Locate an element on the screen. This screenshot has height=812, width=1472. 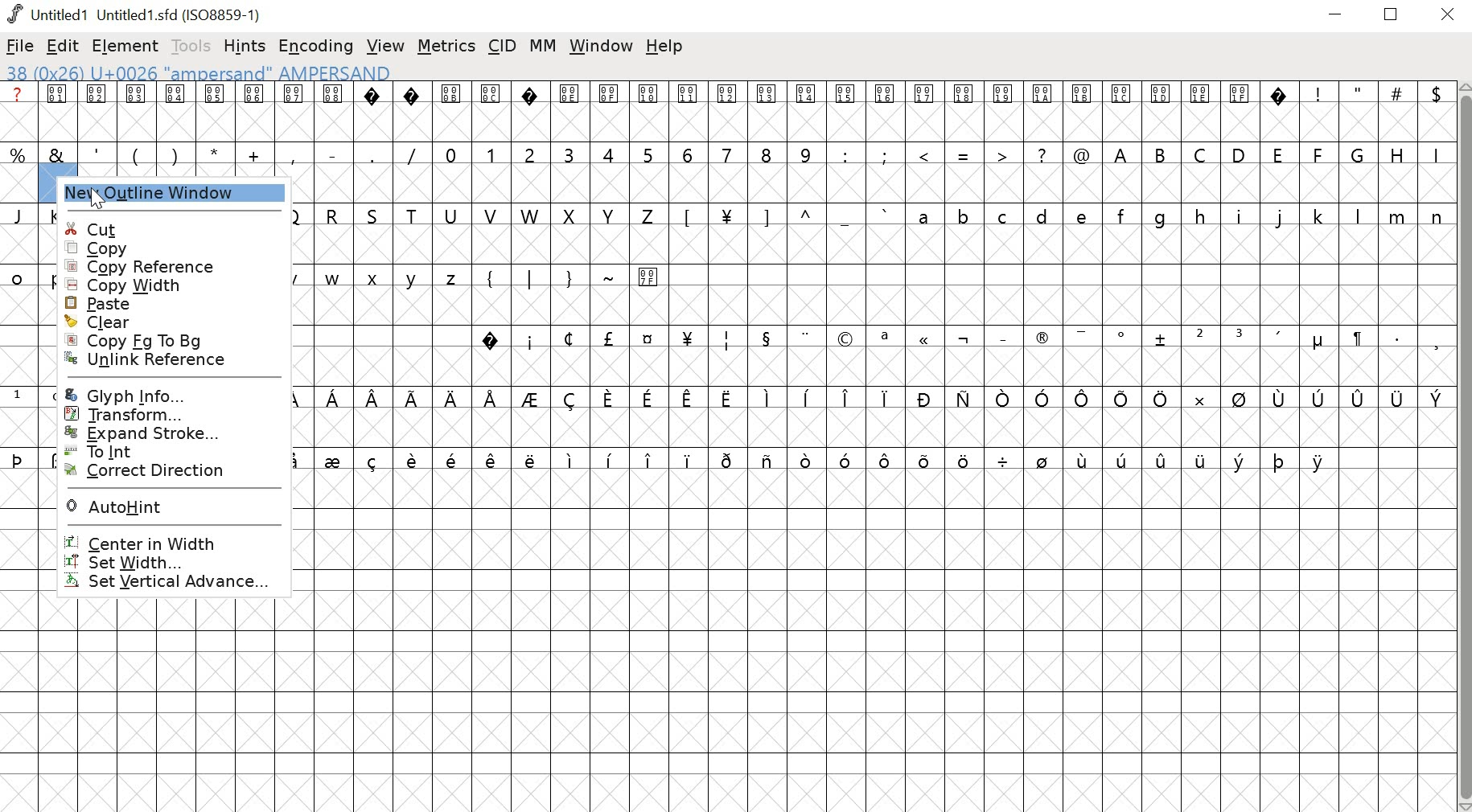
symbol is located at coordinates (845, 340).